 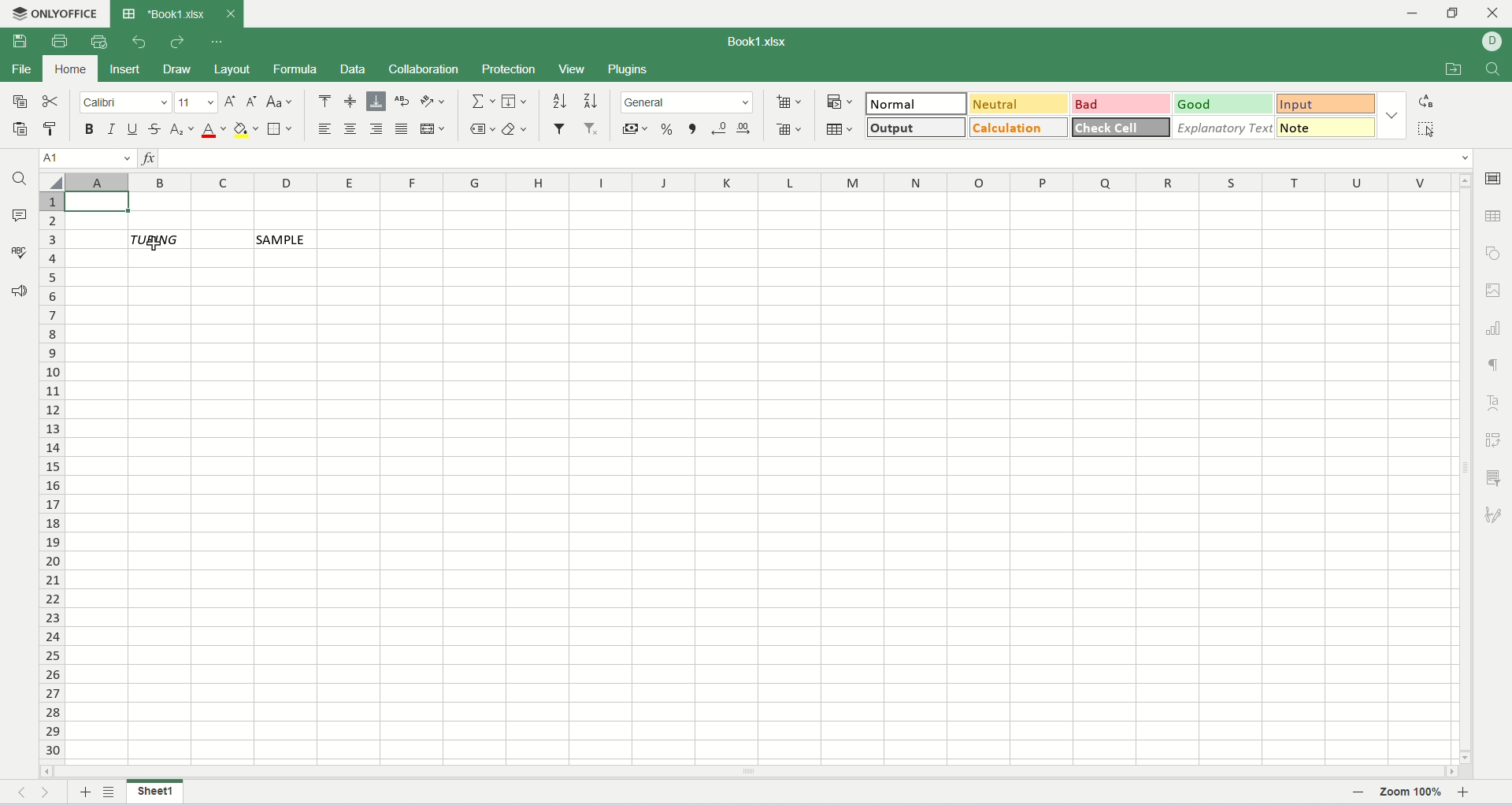 I want to click on view, so click(x=571, y=69).